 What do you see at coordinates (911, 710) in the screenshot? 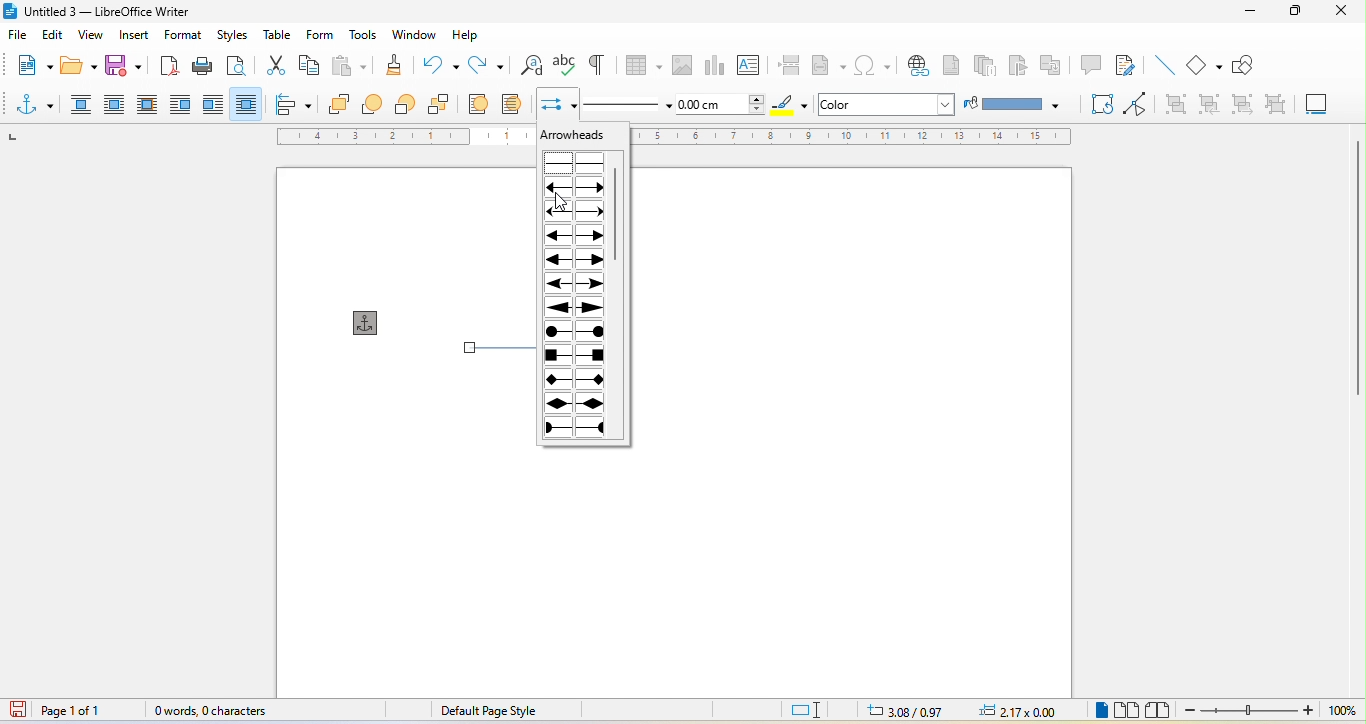
I see `3.08/0.97` at bounding box center [911, 710].